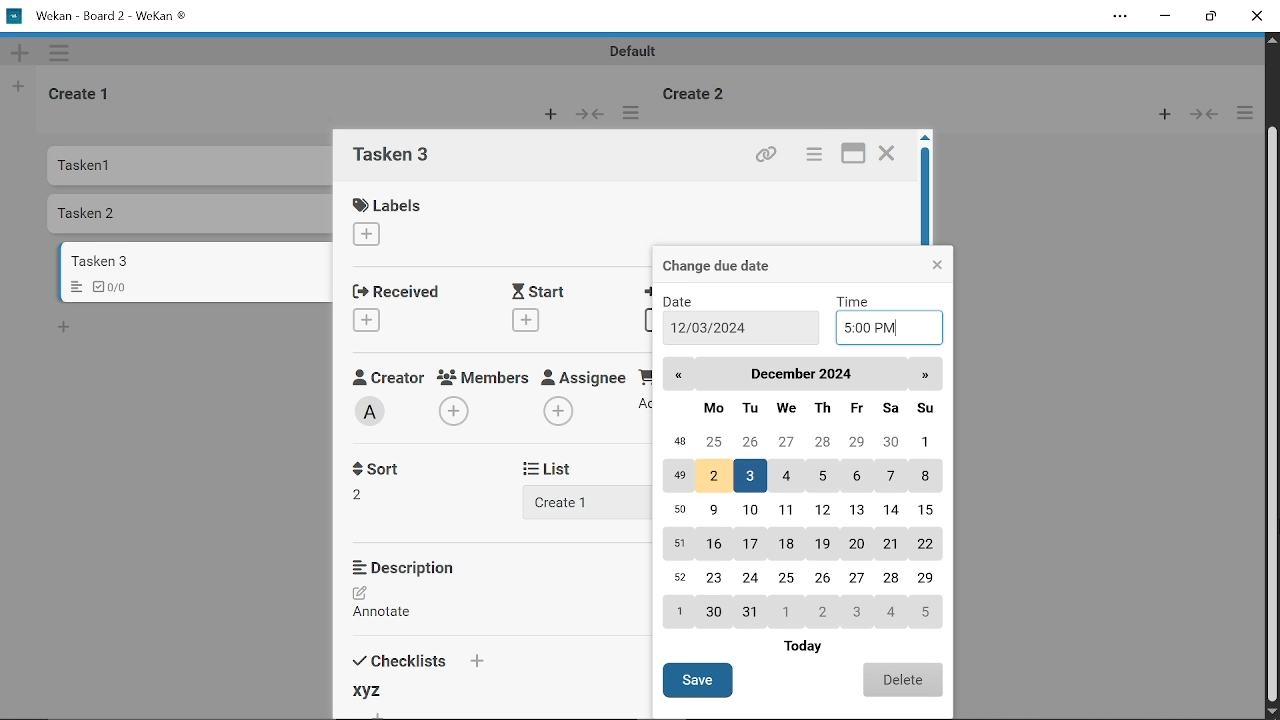 The width and height of the screenshot is (1280, 720). What do you see at coordinates (855, 155) in the screenshot?
I see `maximize card` at bounding box center [855, 155].